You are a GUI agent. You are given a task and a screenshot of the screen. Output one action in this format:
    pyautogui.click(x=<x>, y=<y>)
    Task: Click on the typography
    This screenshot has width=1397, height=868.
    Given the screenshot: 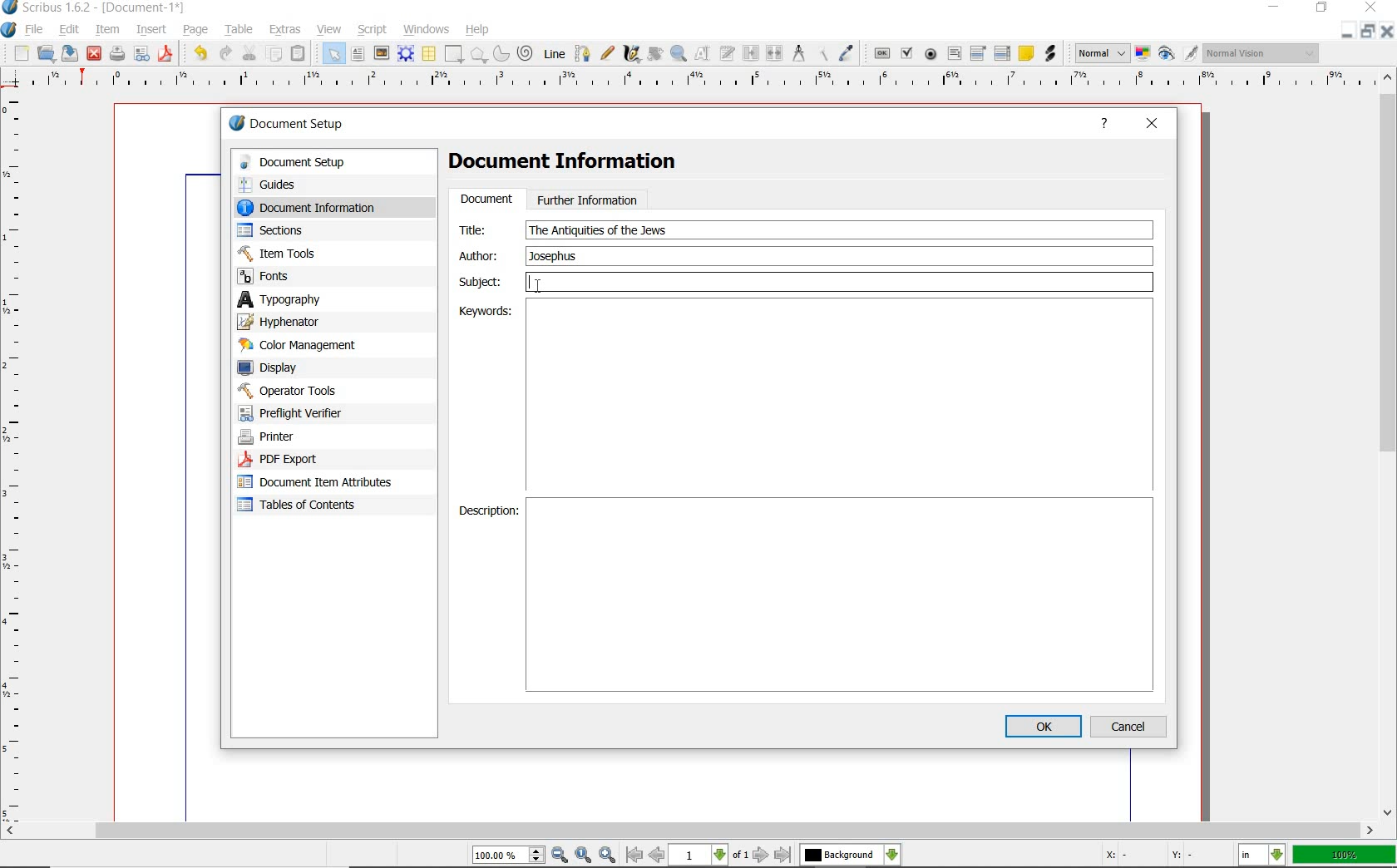 What is the action you would take?
    pyautogui.click(x=303, y=299)
    